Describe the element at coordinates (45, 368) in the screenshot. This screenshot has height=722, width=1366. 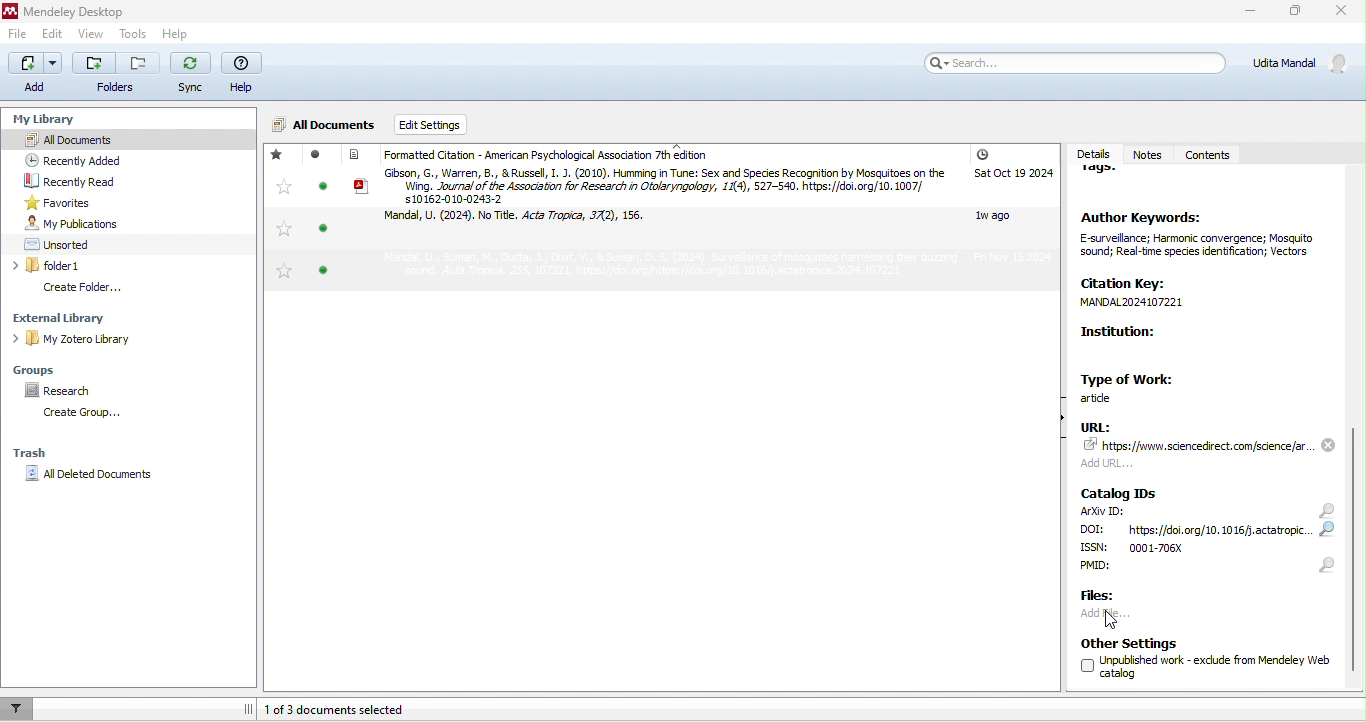
I see `groups` at that location.